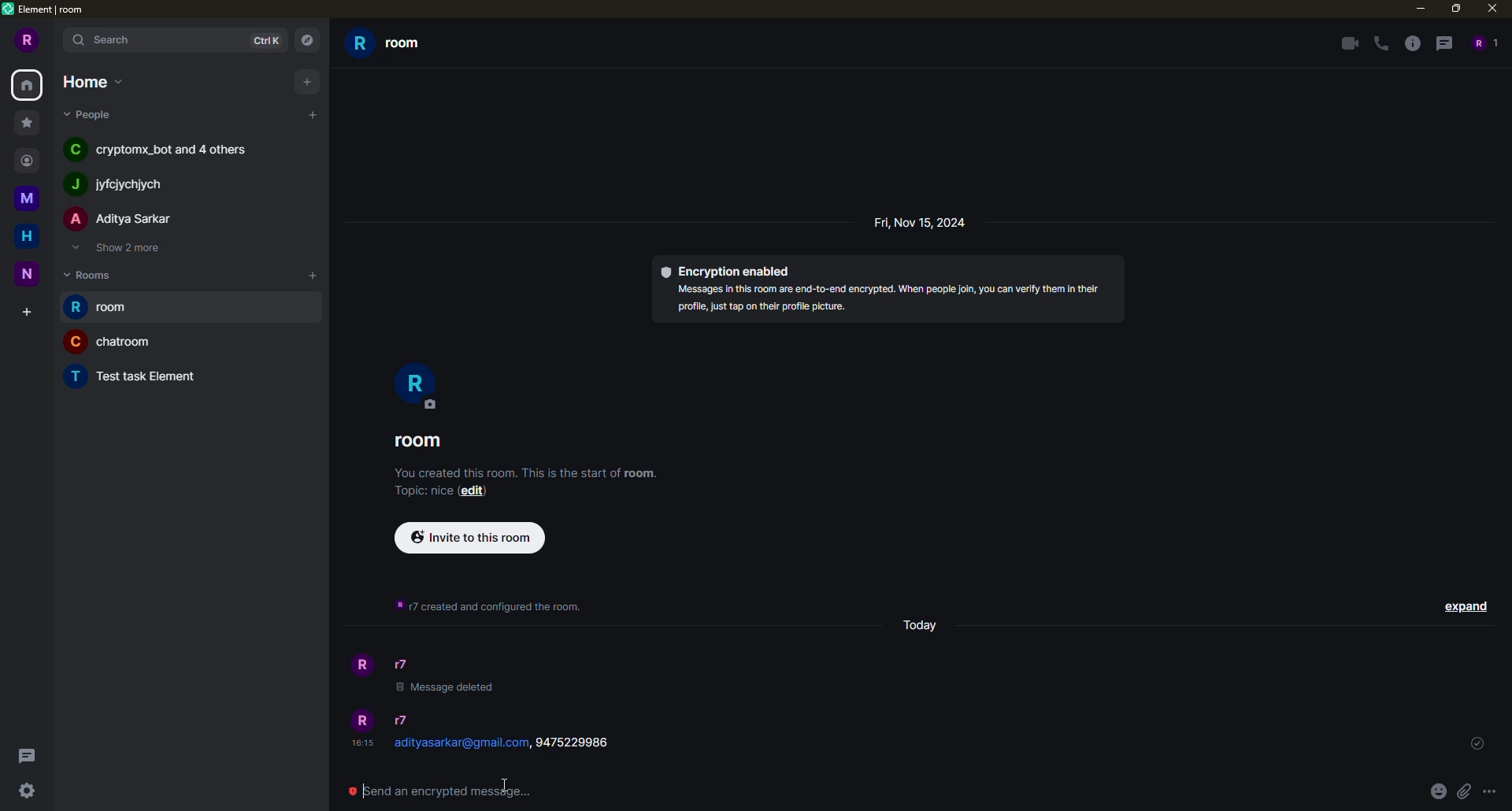 This screenshot has width=1512, height=811. What do you see at coordinates (26, 42) in the screenshot?
I see `profile` at bounding box center [26, 42].